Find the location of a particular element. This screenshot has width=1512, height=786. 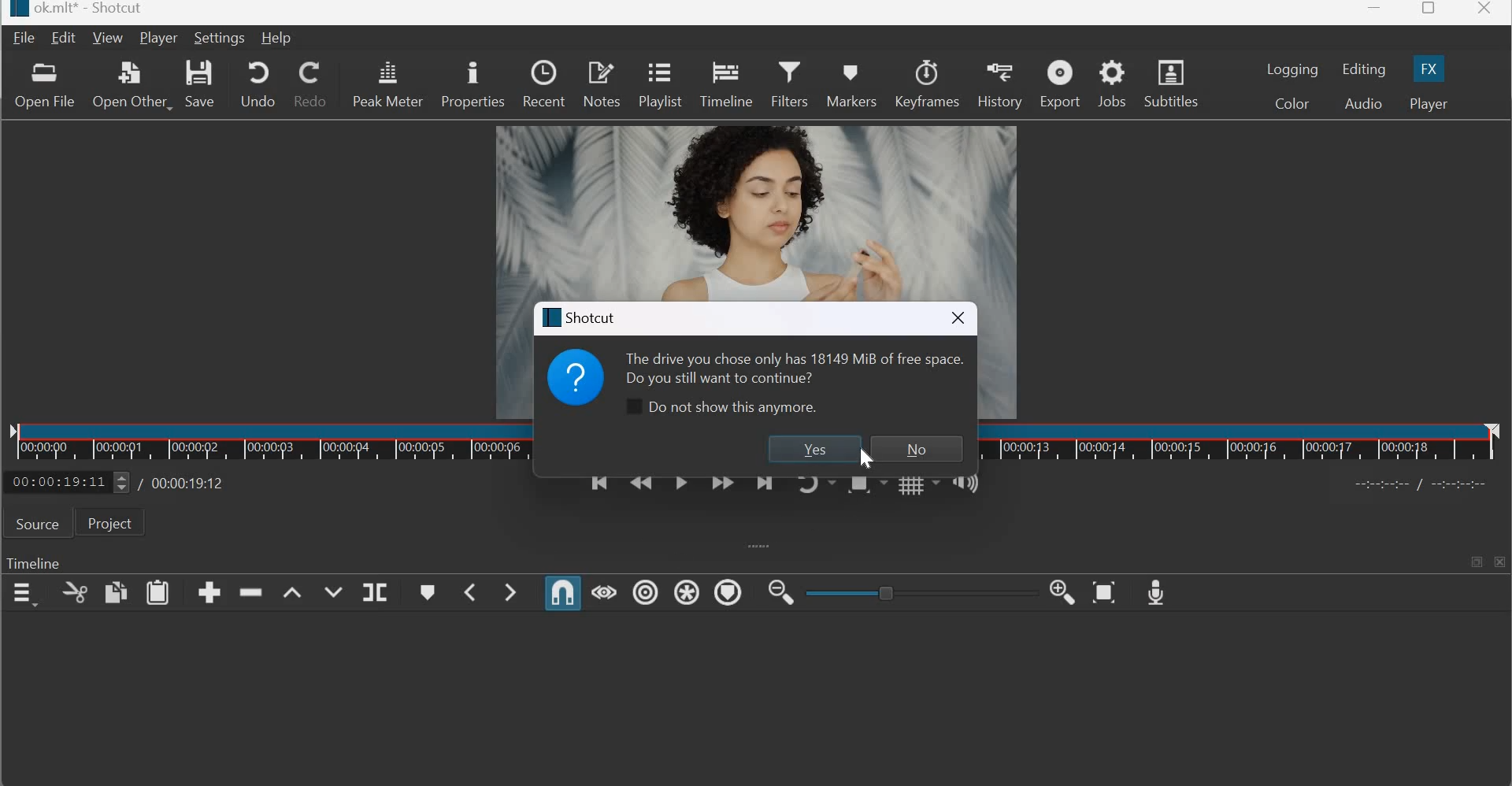

Playlist is located at coordinates (663, 86).